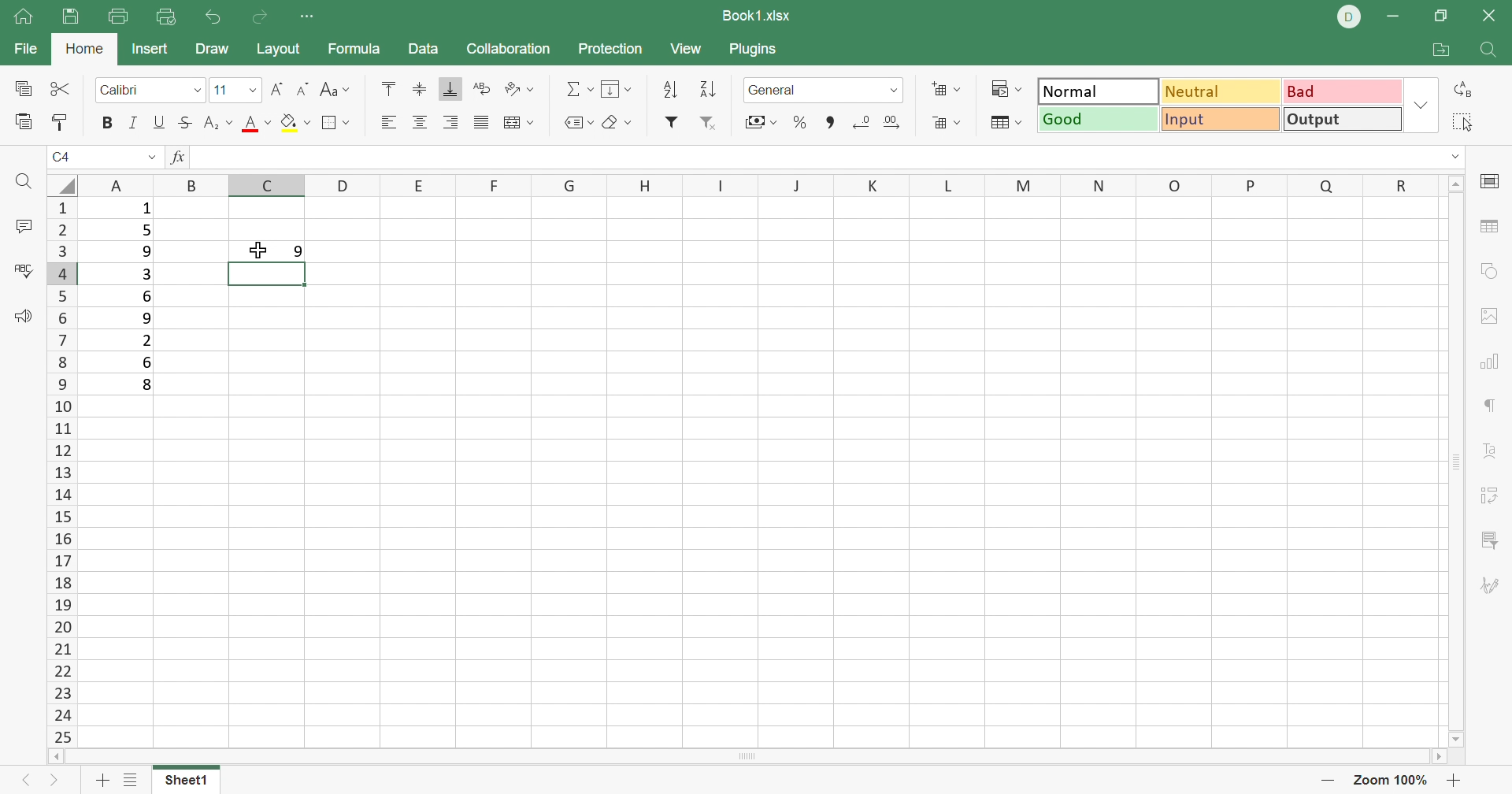  What do you see at coordinates (481, 125) in the screenshot?
I see `Justified` at bounding box center [481, 125].